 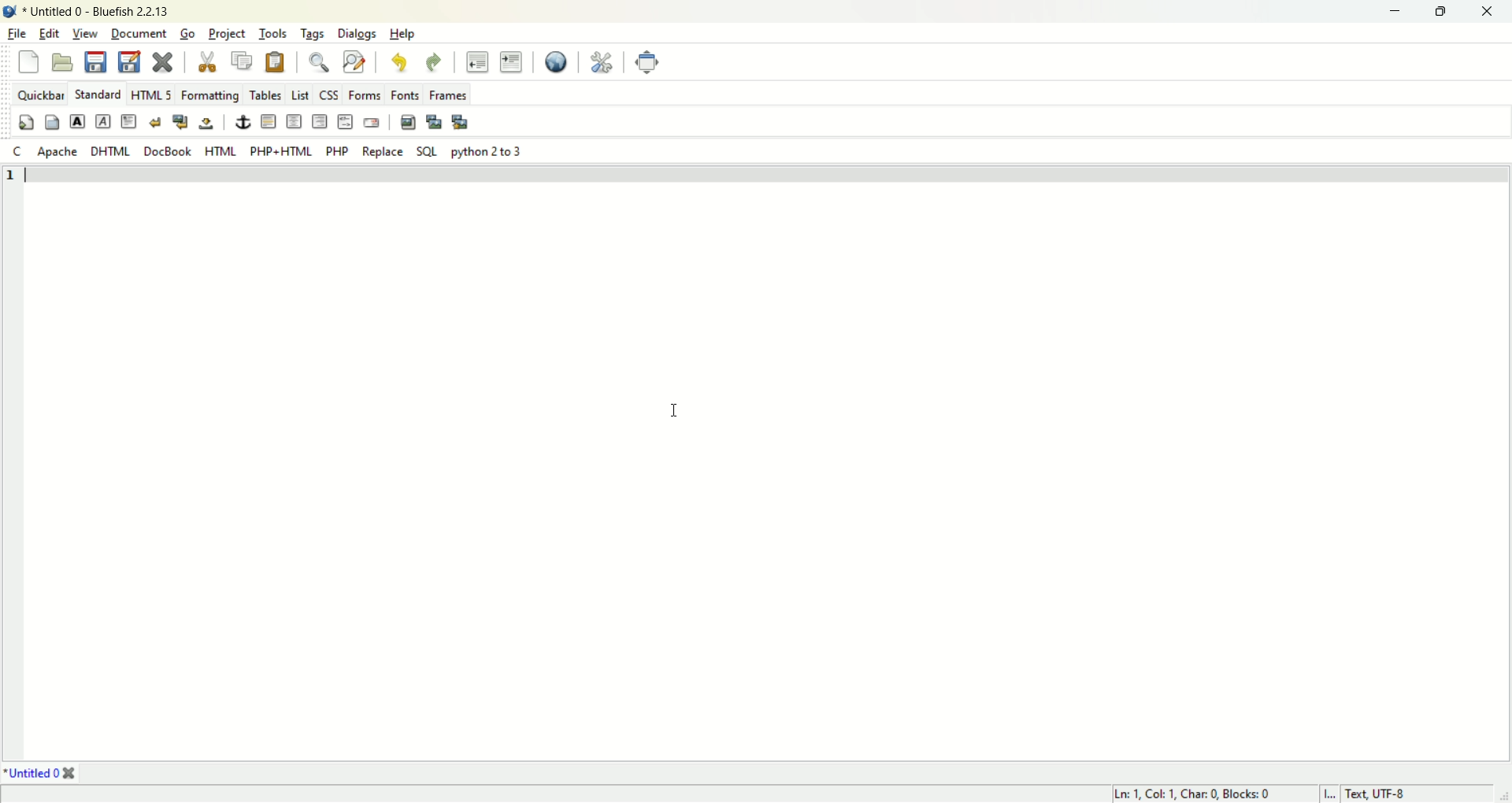 What do you see at coordinates (57, 153) in the screenshot?
I see `apache` at bounding box center [57, 153].